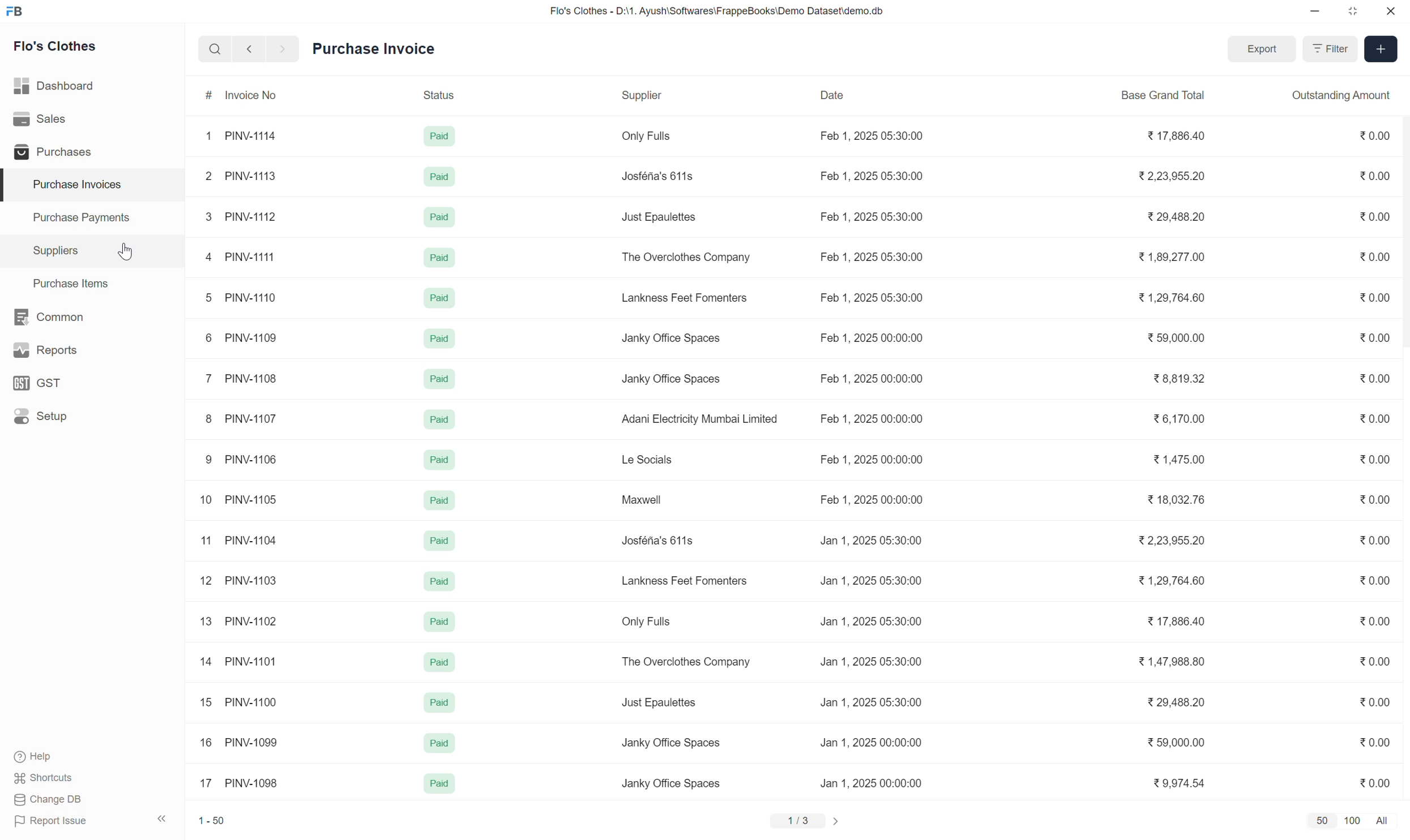  What do you see at coordinates (1172, 257) in the screenshot?
I see `1,89,277.00` at bounding box center [1172, 257].